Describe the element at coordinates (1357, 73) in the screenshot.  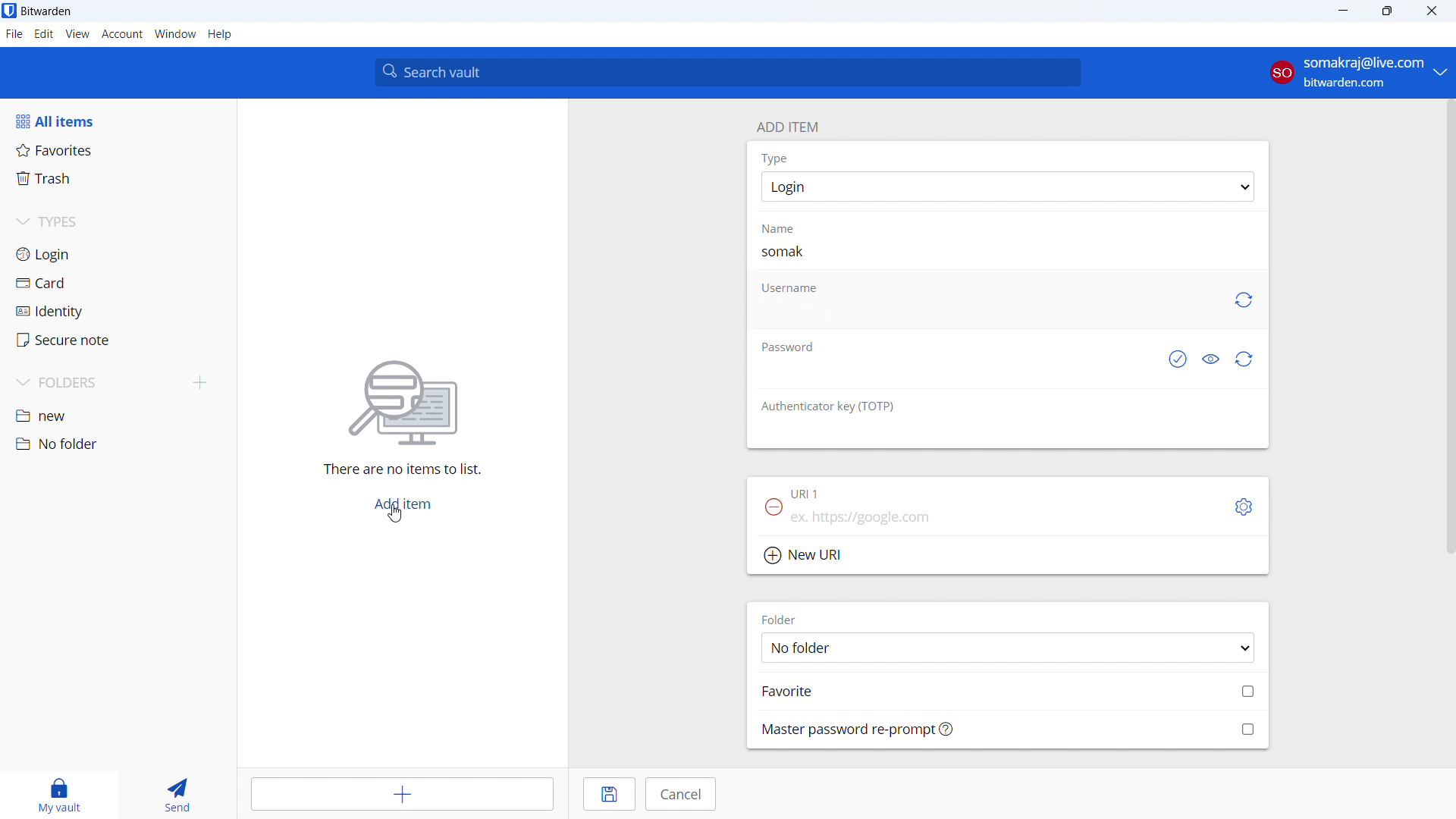
I see `account` at that location.